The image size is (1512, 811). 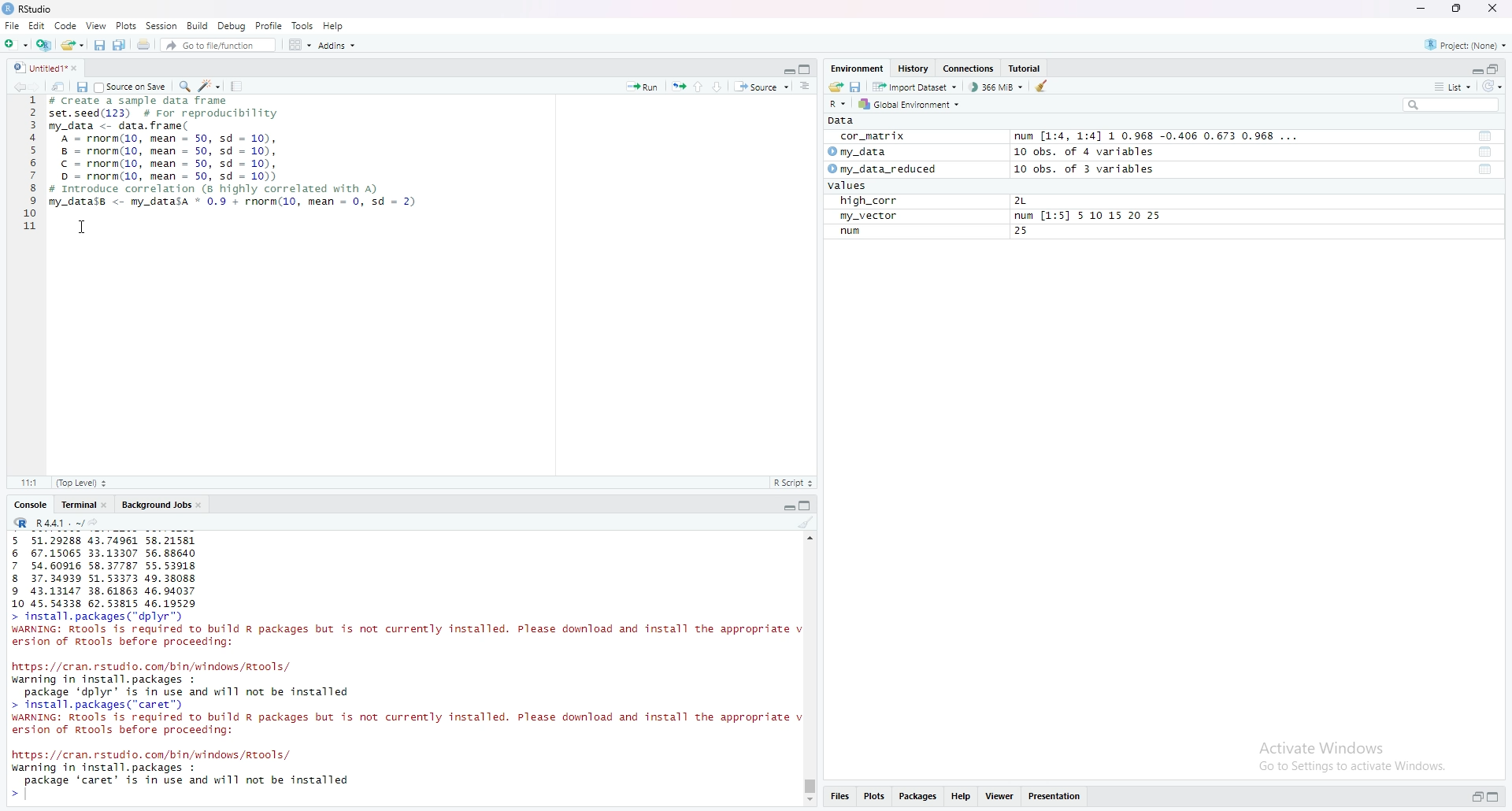 What do you see at coordinates (850, 185) in the screenshot?
I see `values` at bounding box center [850, 185].